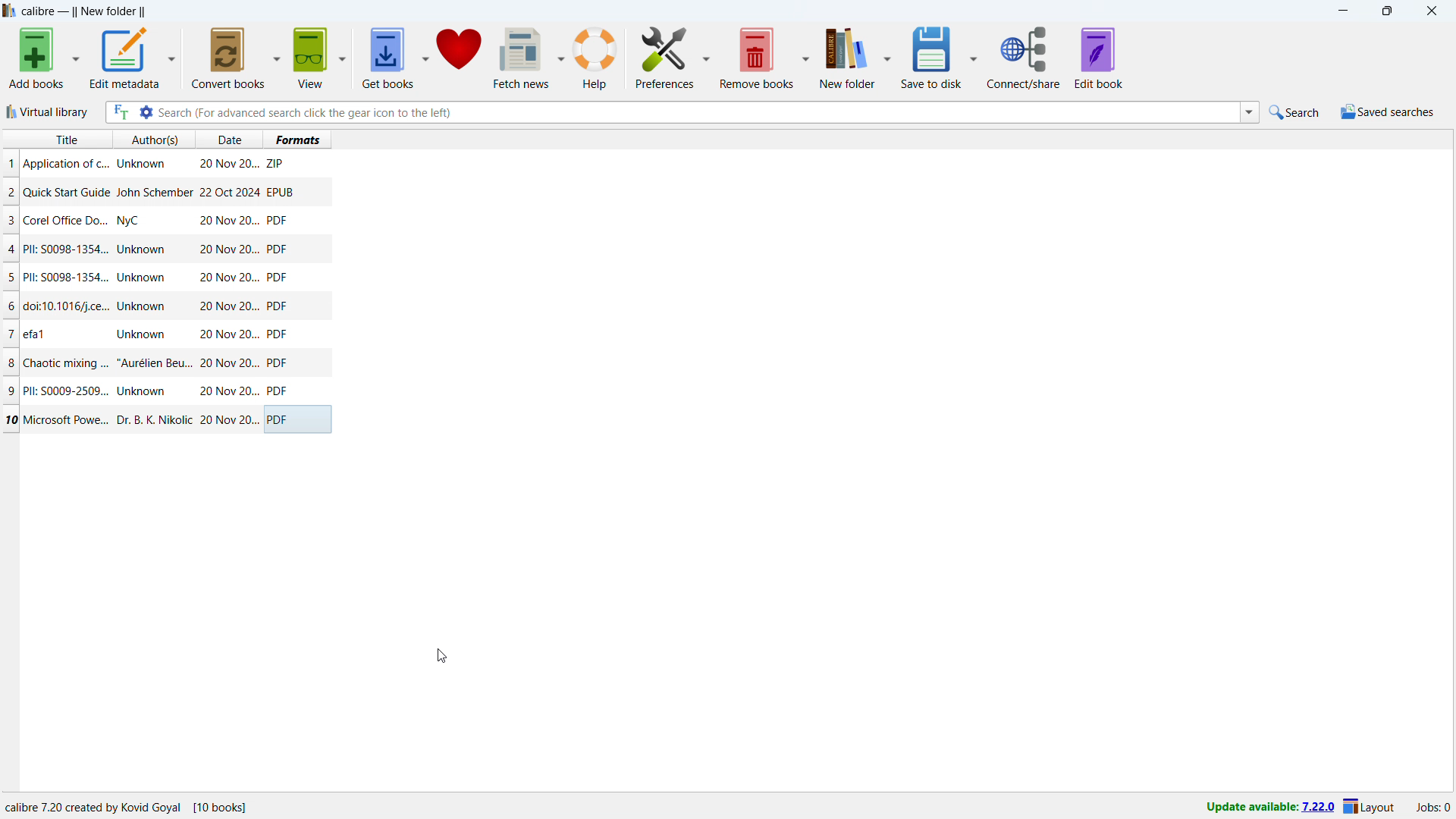 Image resolution: width=1456 pixels, height=819 pixels. Describe the element at coordinates (560, 56) in the screenshot. I see `fetch new options` at that location.